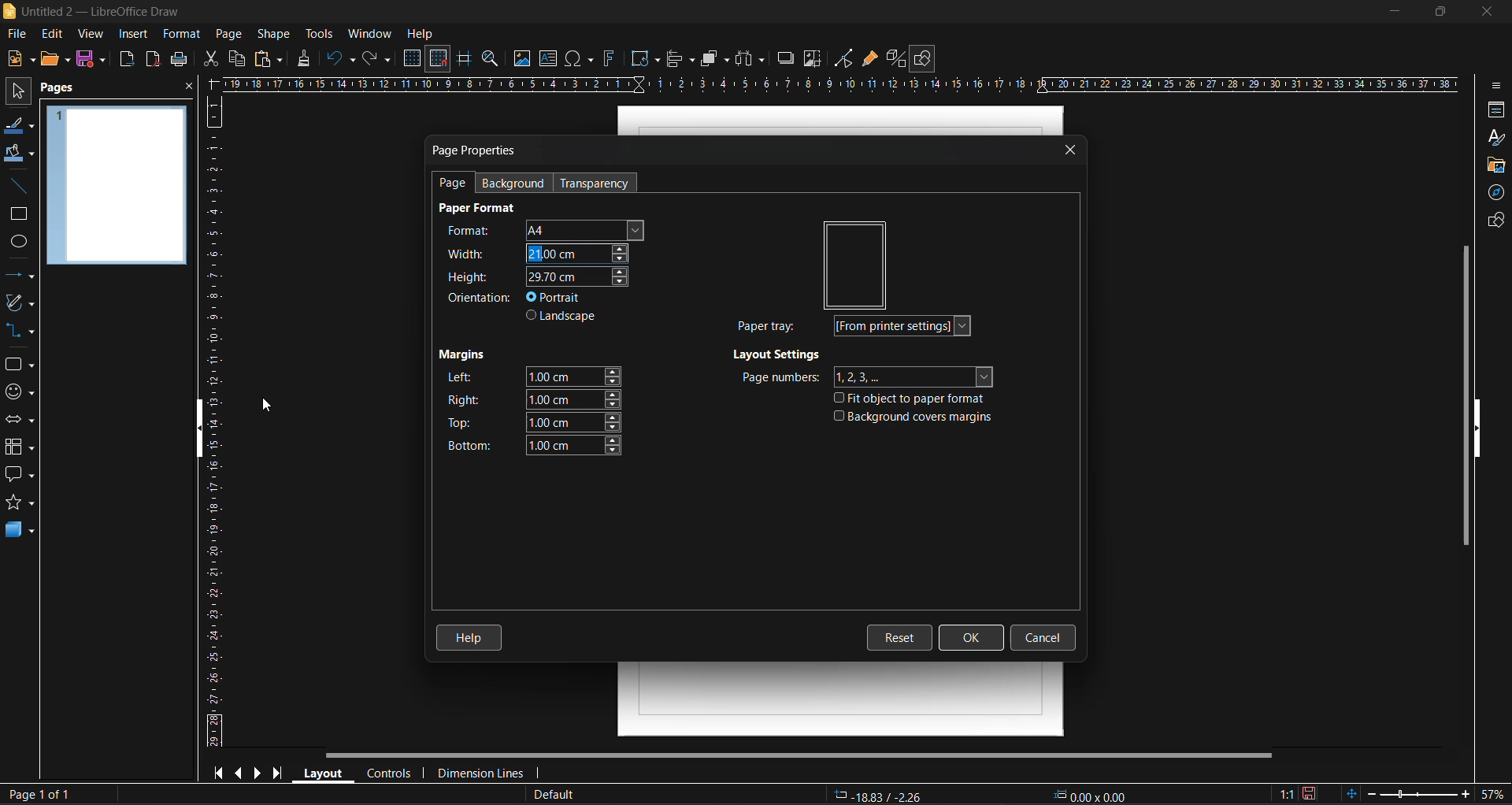  I want to click on width, so click(538, 252).